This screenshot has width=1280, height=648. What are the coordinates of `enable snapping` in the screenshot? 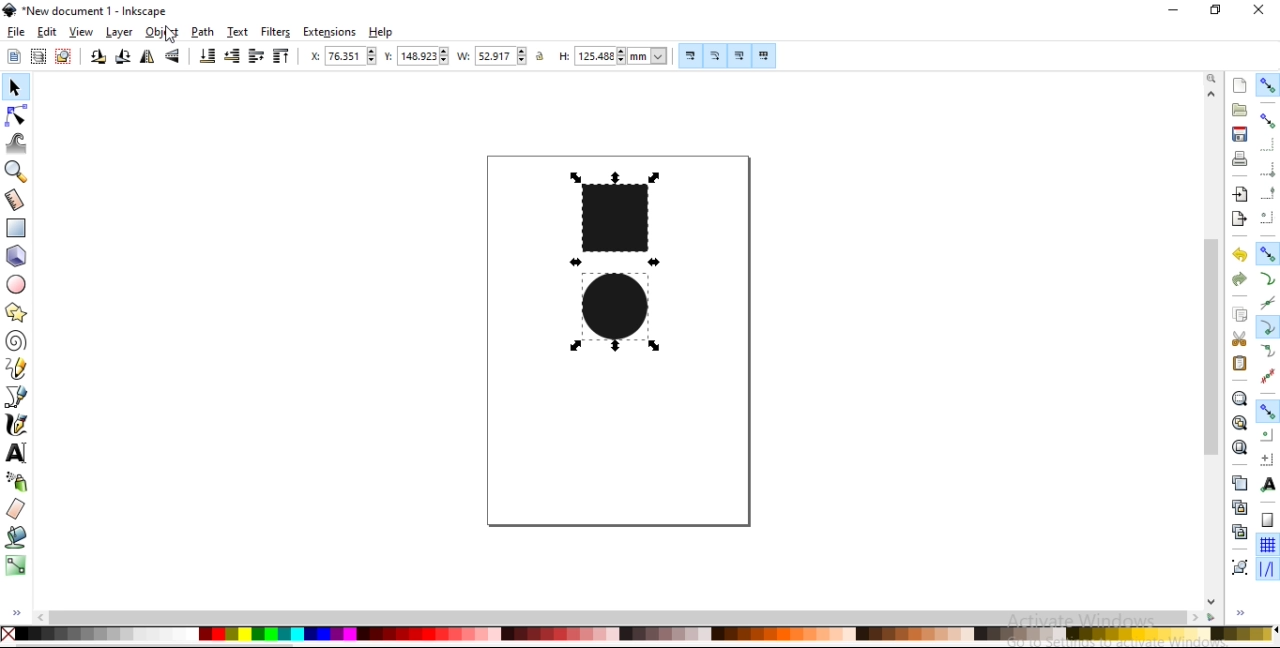 It's located at (1269, 85).